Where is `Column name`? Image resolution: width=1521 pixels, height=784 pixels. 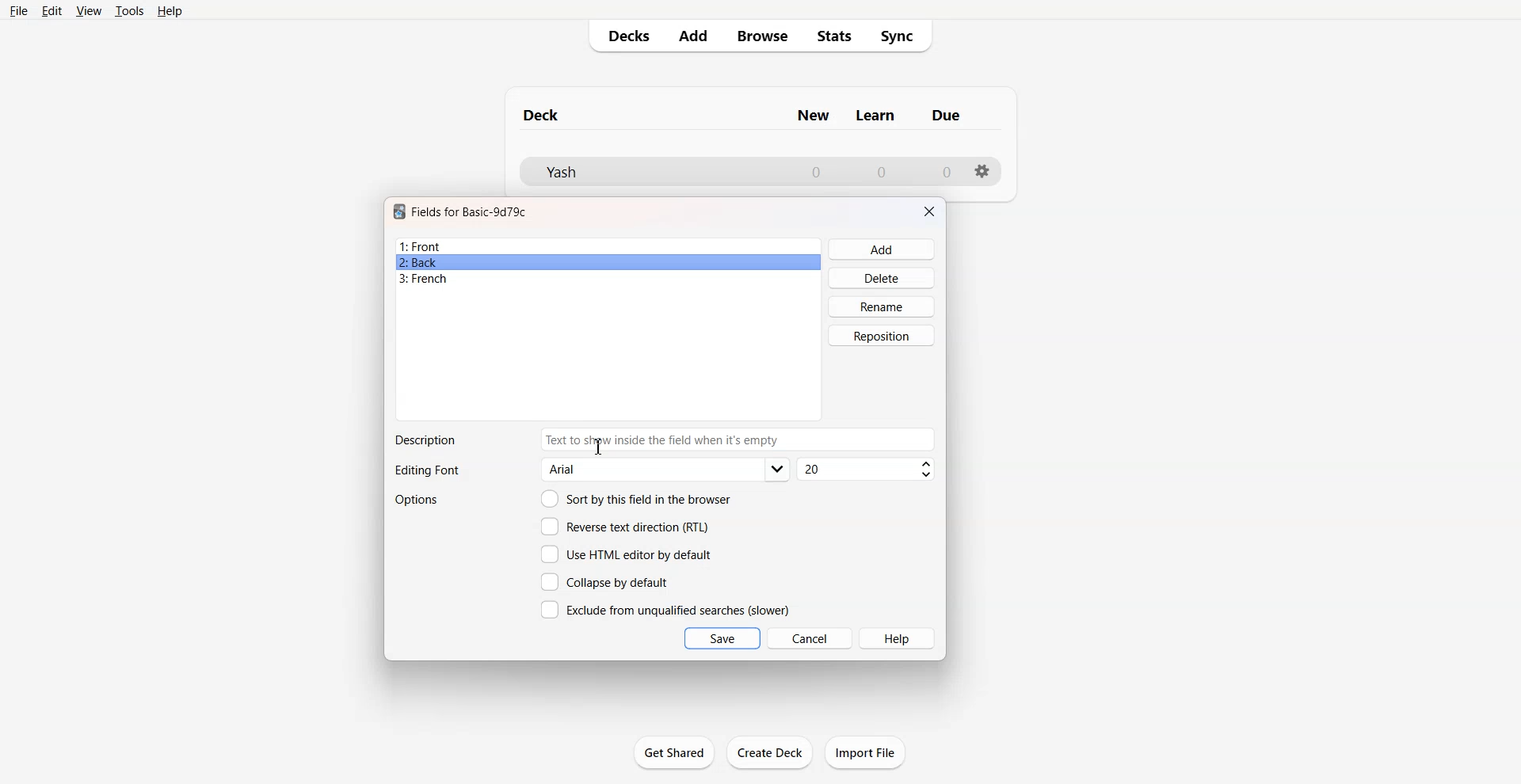 Column name is located at coordinates (875, 116).